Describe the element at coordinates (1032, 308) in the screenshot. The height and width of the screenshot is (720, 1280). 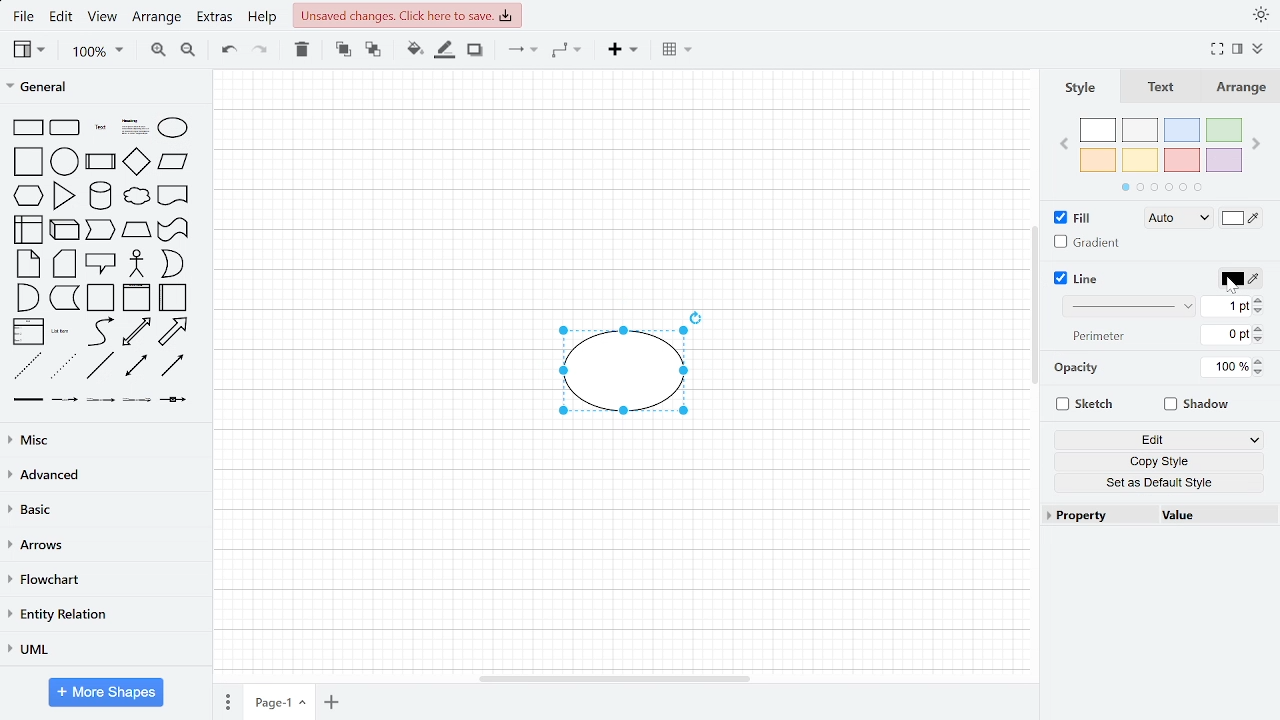
I see `Vertical scrollbar` at that location.